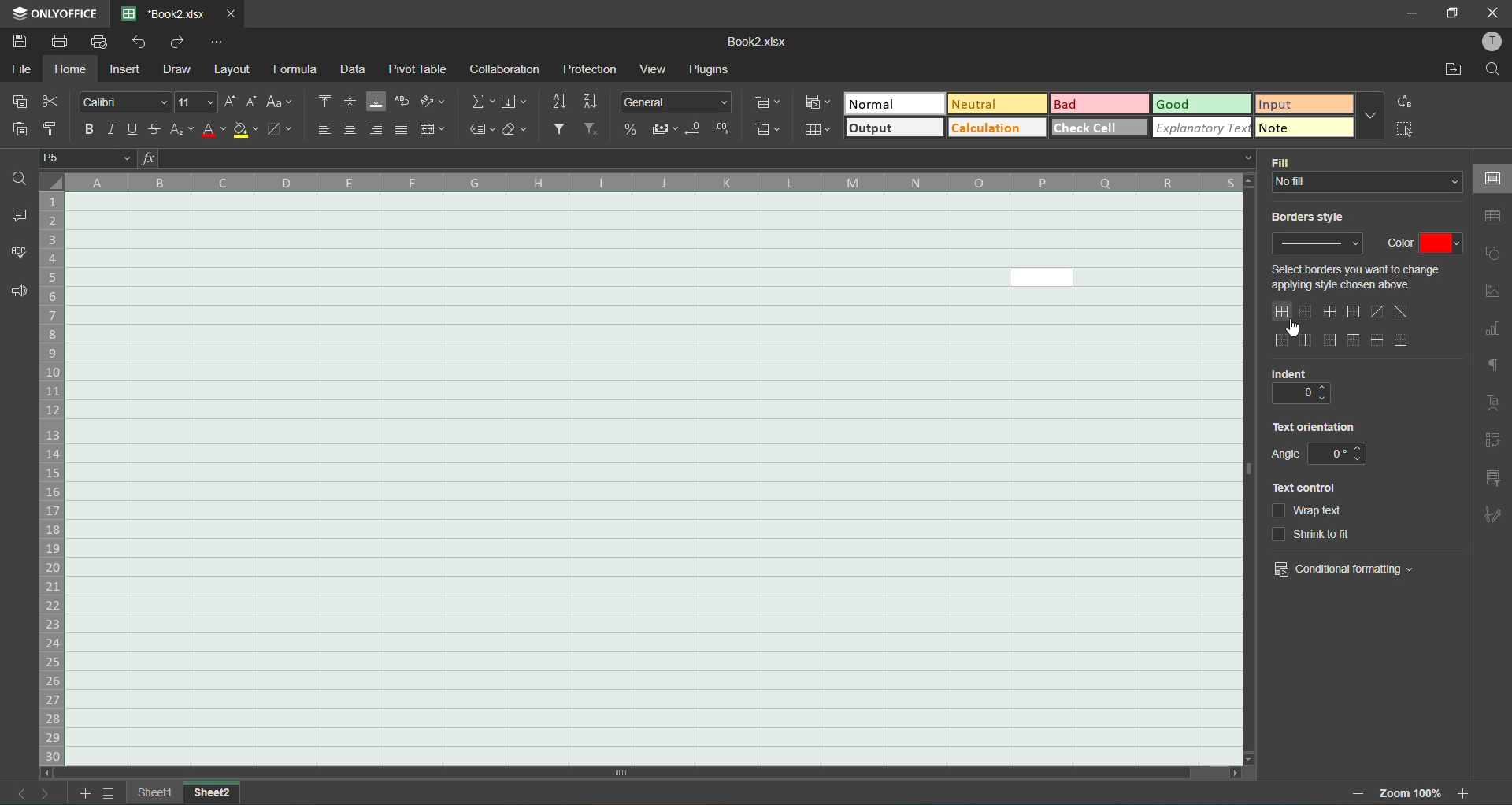  I want to click on strikethrough, so click(157, 127).